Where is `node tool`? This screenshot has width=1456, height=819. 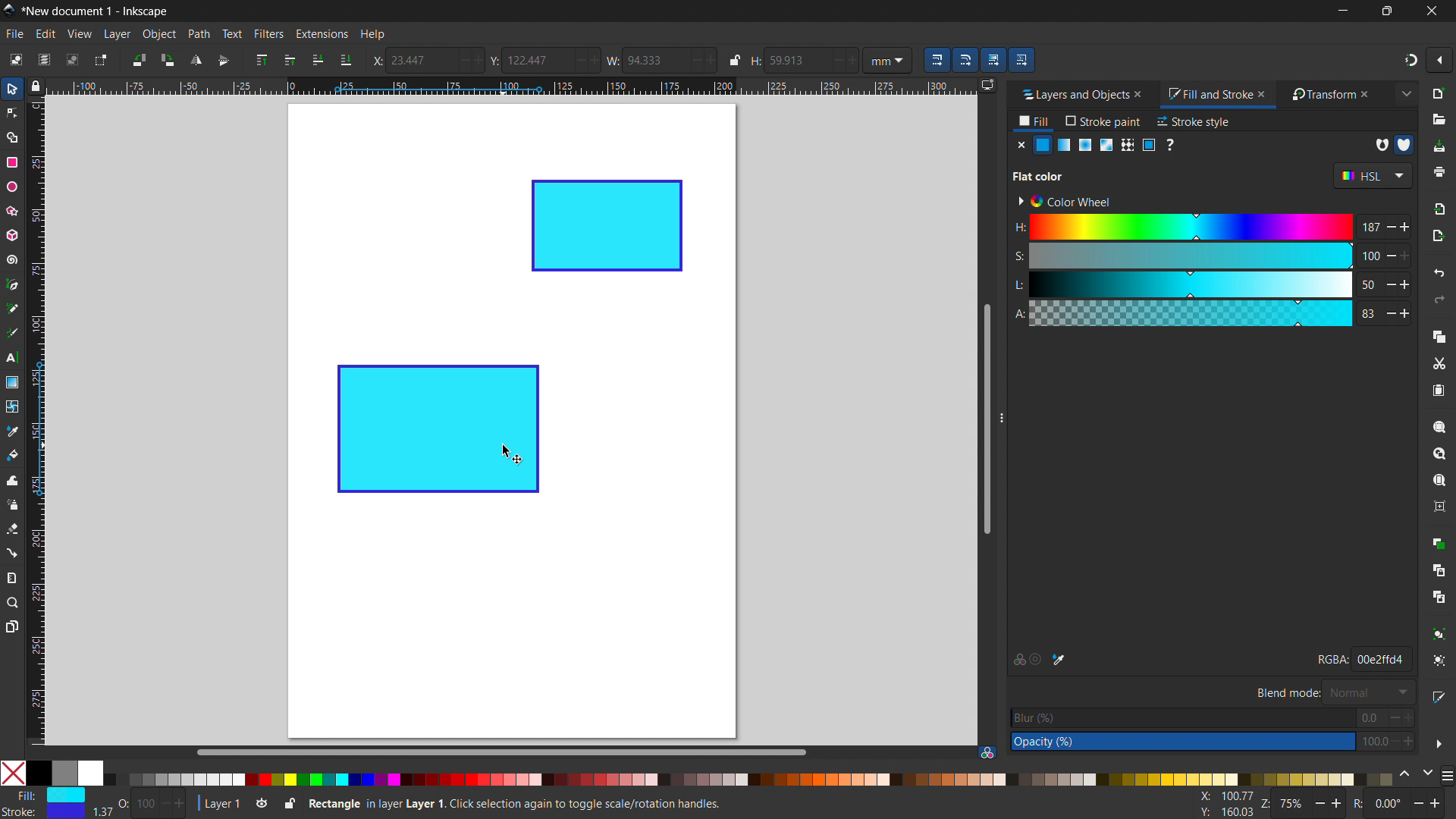 node tool is located at coordinates (11, 111).